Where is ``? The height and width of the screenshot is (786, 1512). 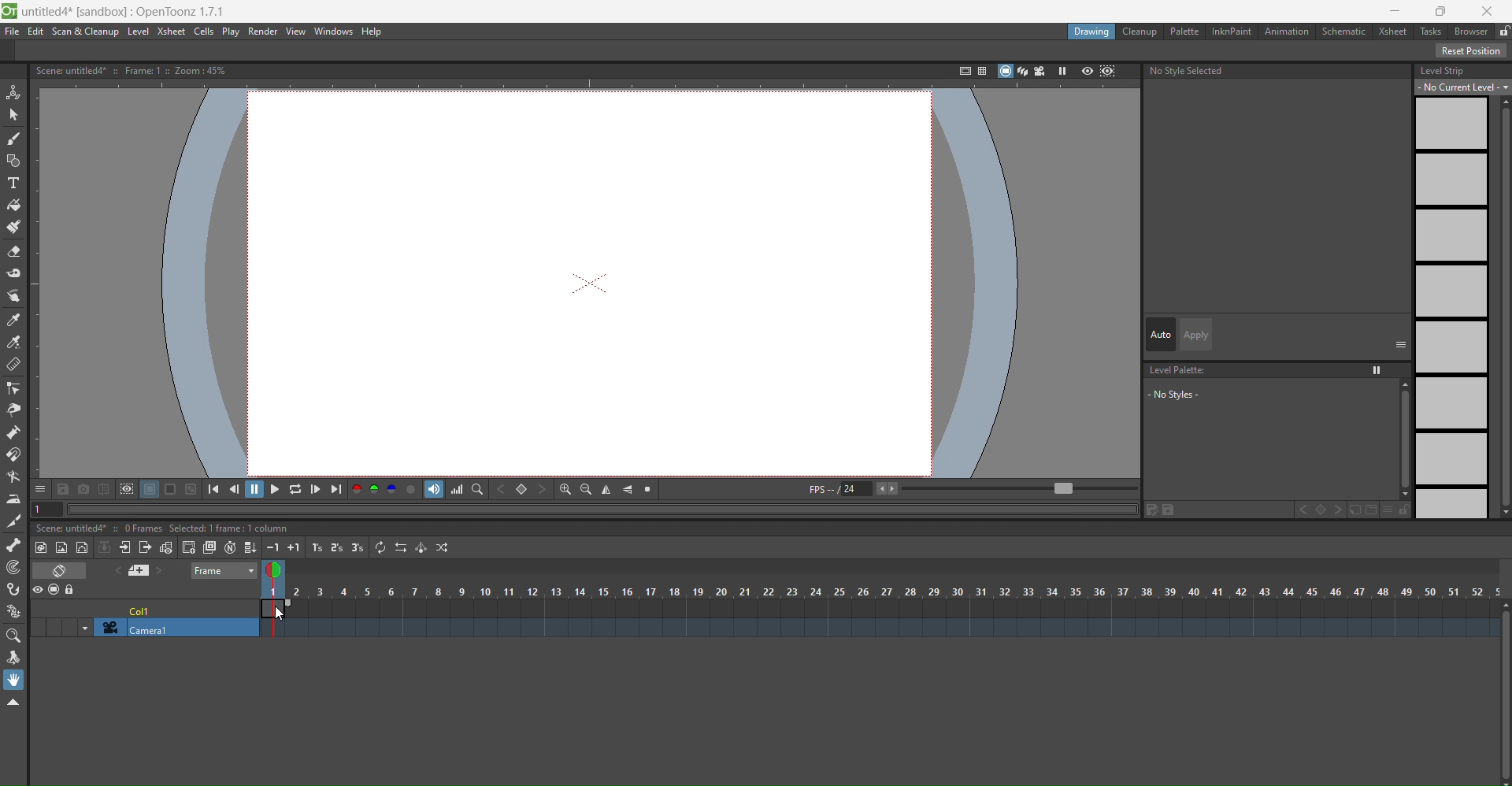  is located at coordinates (627, 489).